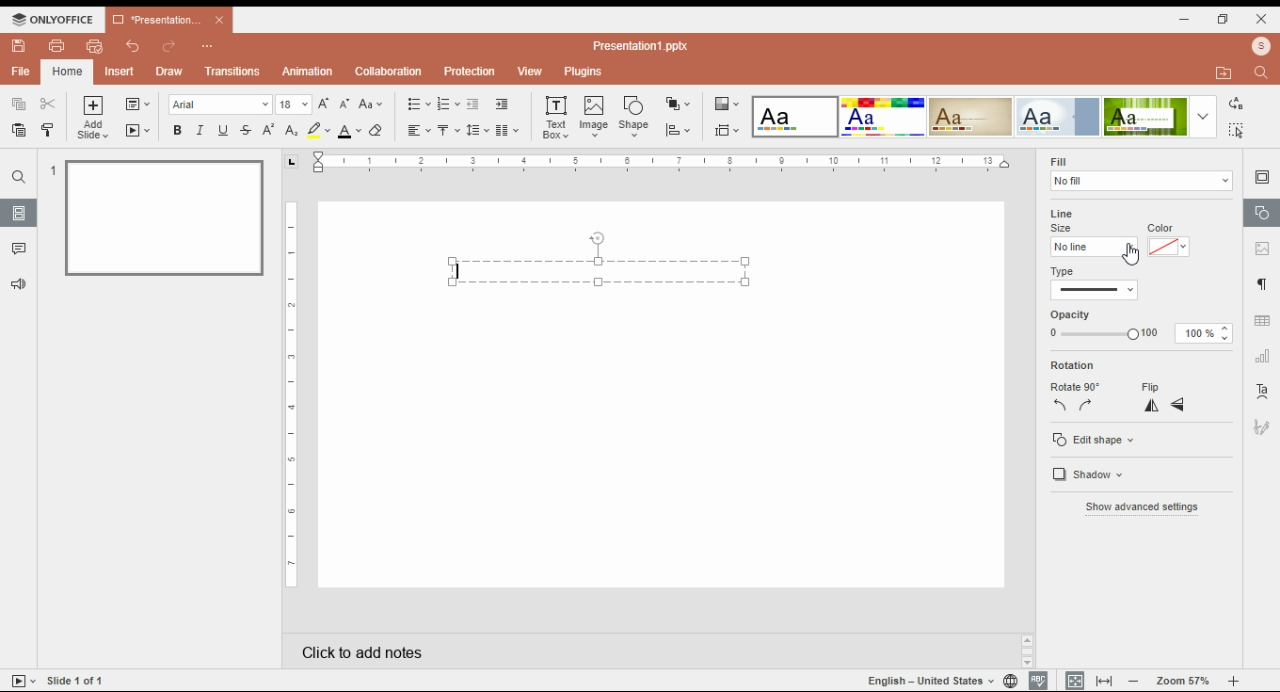 Image resolution: width=1280 pixels, height=692 pixels. I want to click on line color, so click(1168, 247).